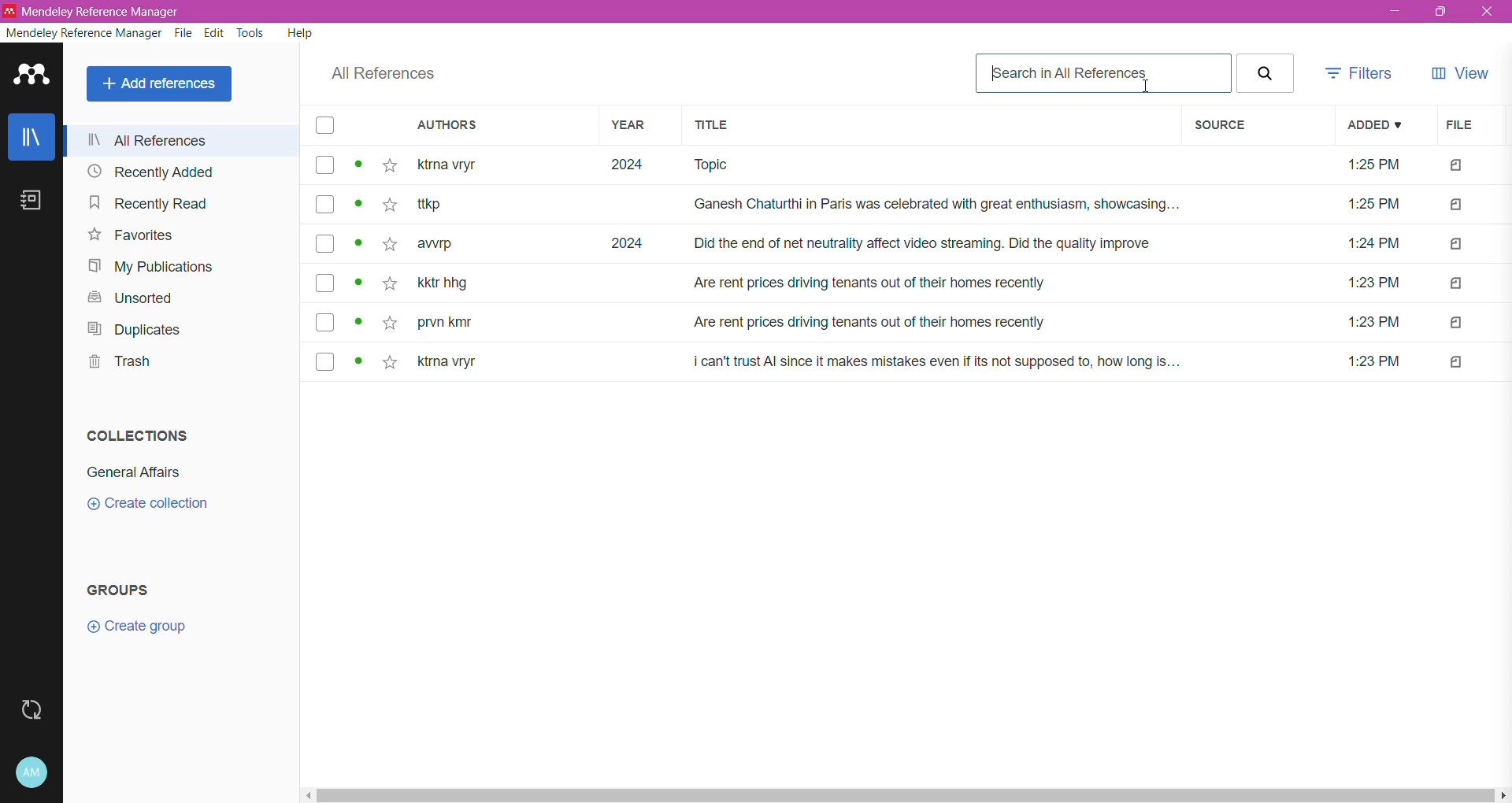  Describe the element at coordinates (326, 128) in the screenshot. I see `select all` at that location.